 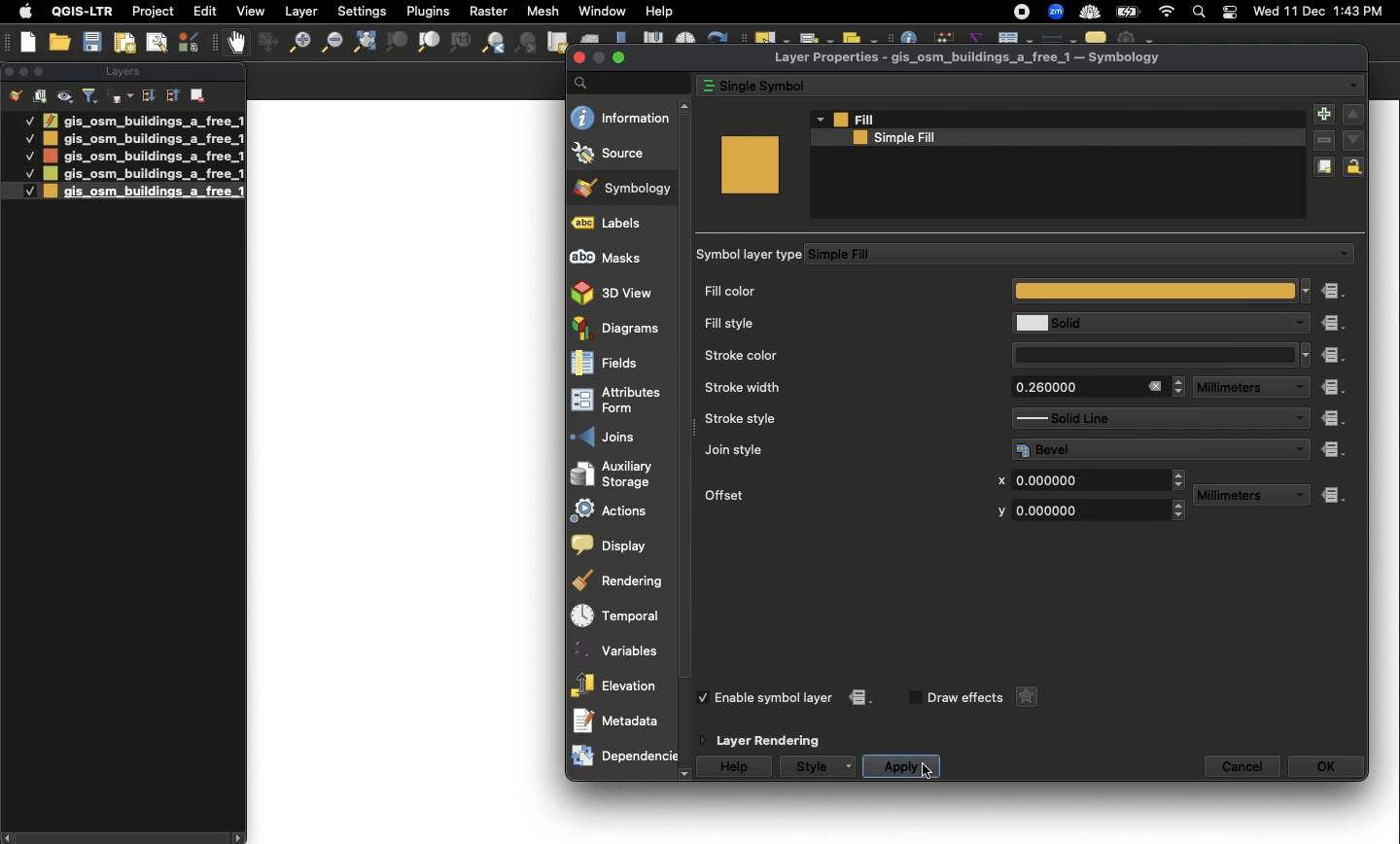 I want to click on Soure, so click(x=622, y=153).